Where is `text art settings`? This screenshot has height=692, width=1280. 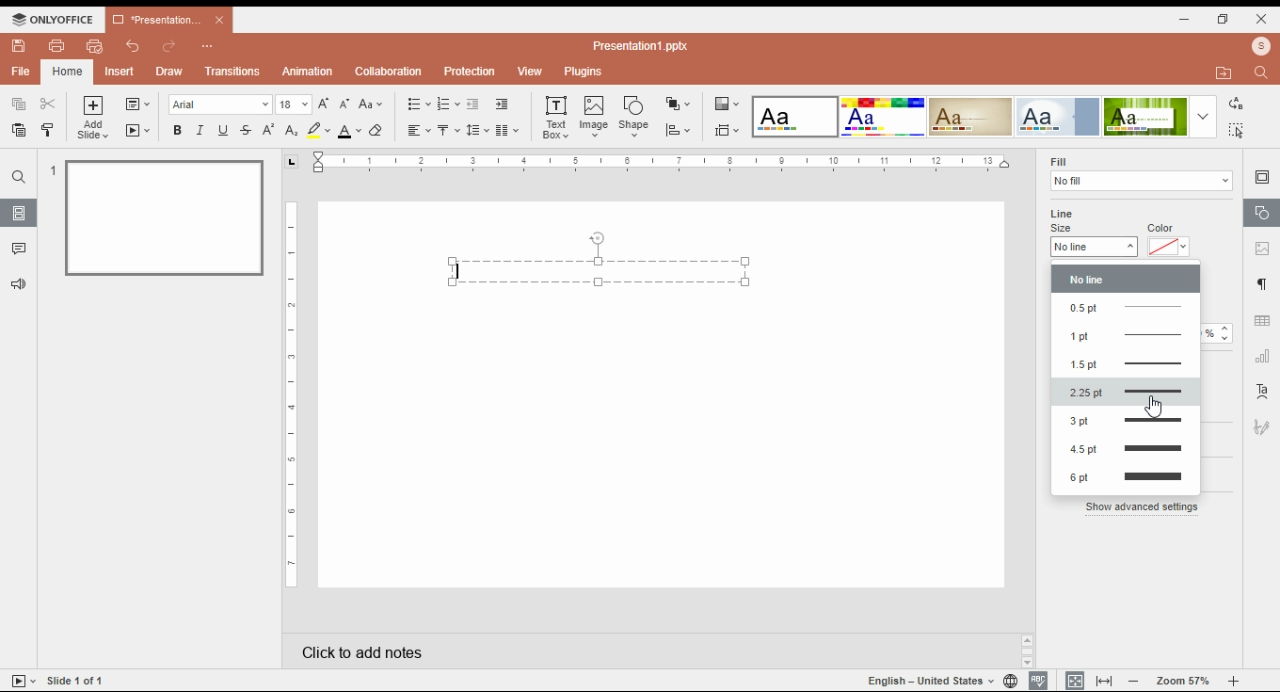
text art settings is located at coordinates (1262, 391).